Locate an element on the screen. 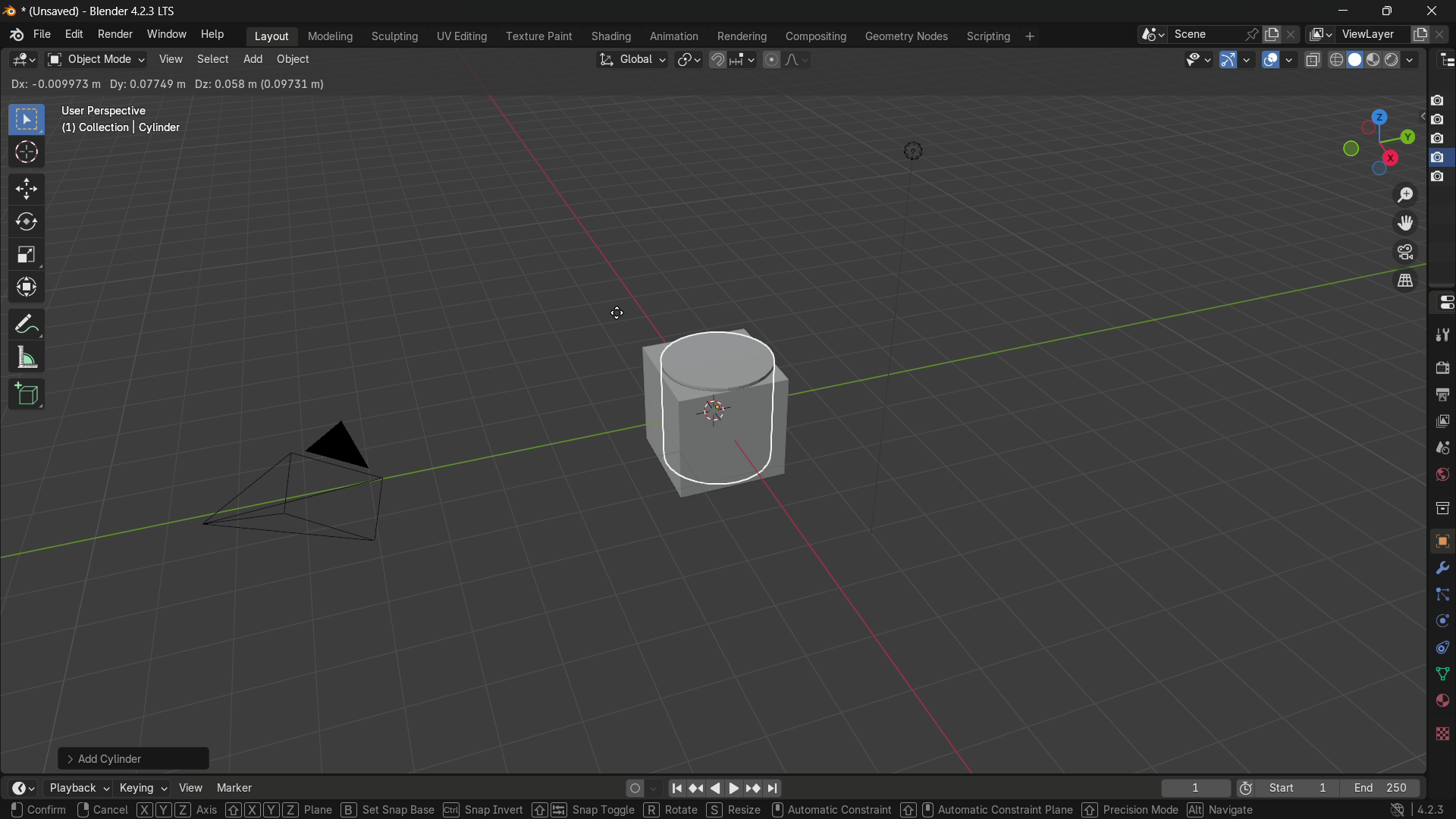  measure is located at coordinates (27, 358).